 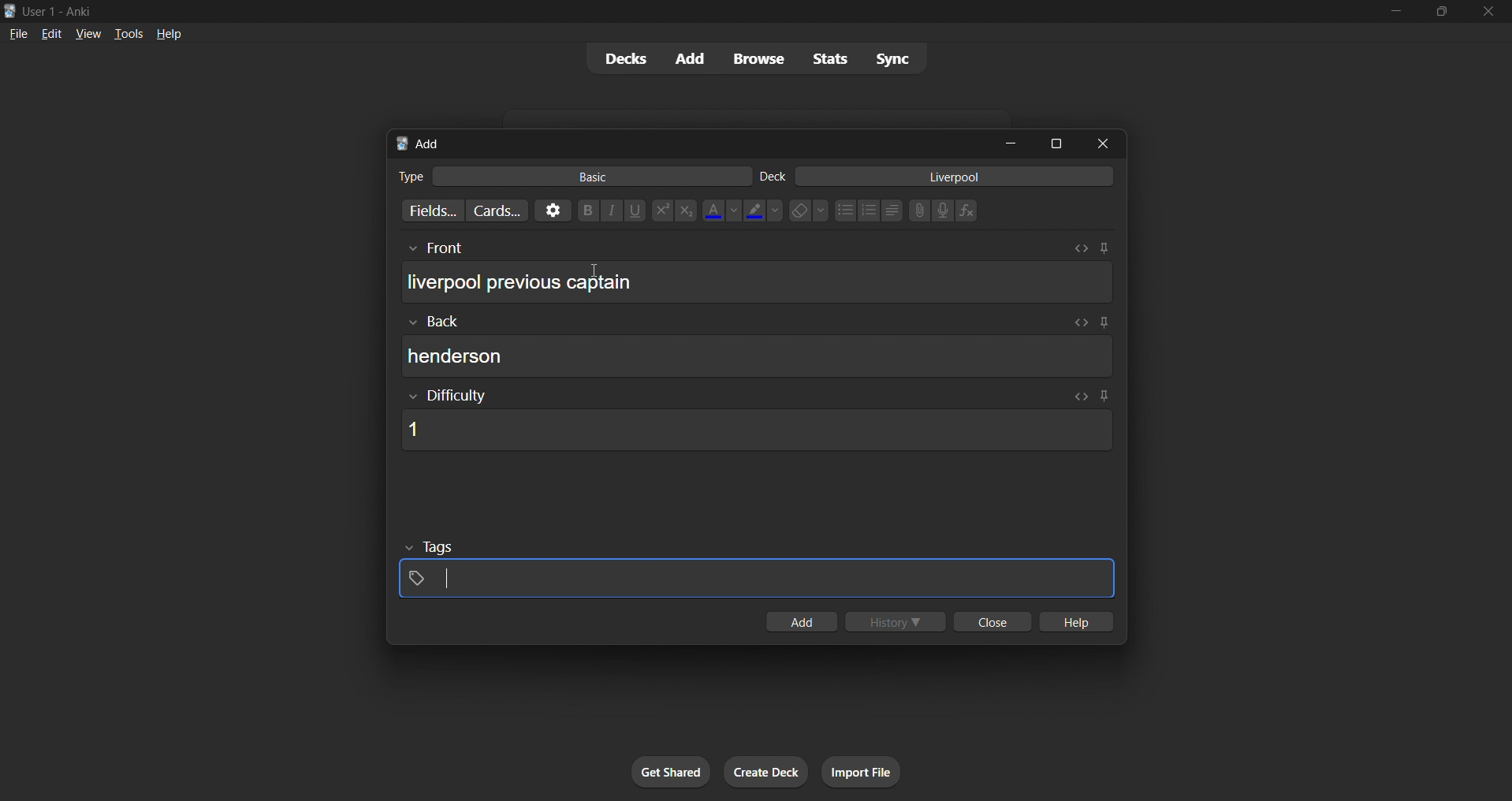 What do you see at coordinates (1393, 13) in the screenshot?
I see `minimize` at bounding box center [1393, 13].